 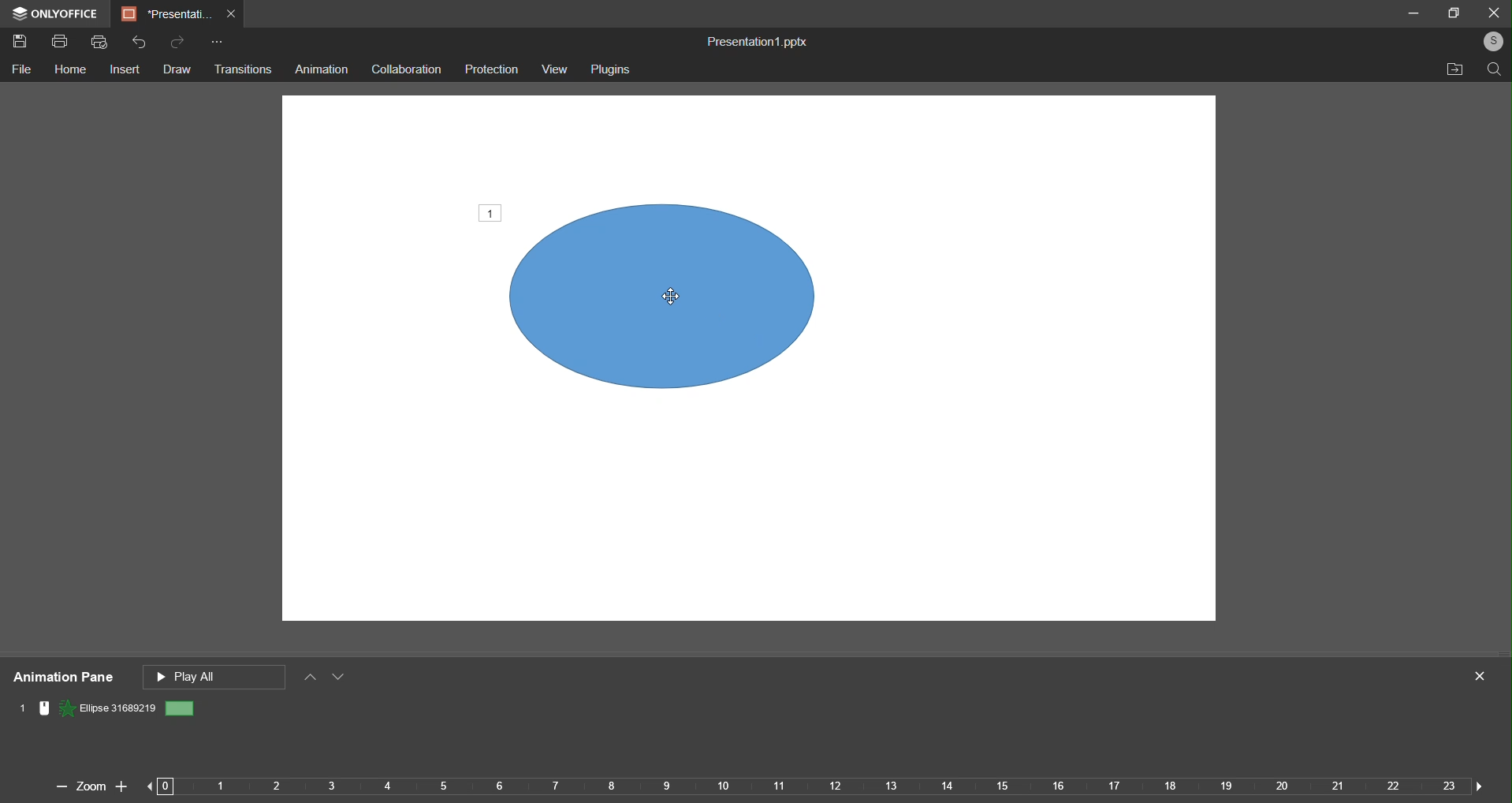 I want to click on number of animation, so click(x=490, y=211).